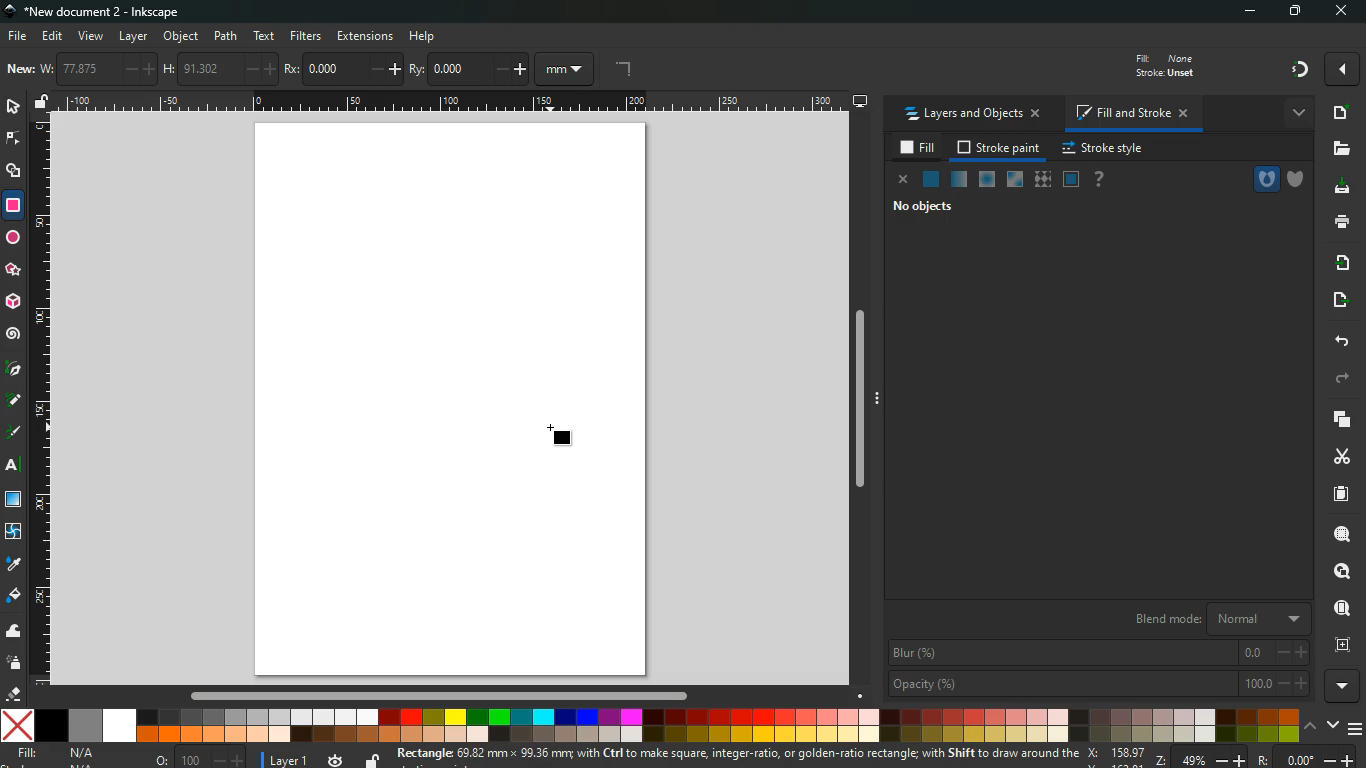  What do you see at coordinates (13, 402) in the screenshot?
I see `highlight` at bounding box center [13, 402].